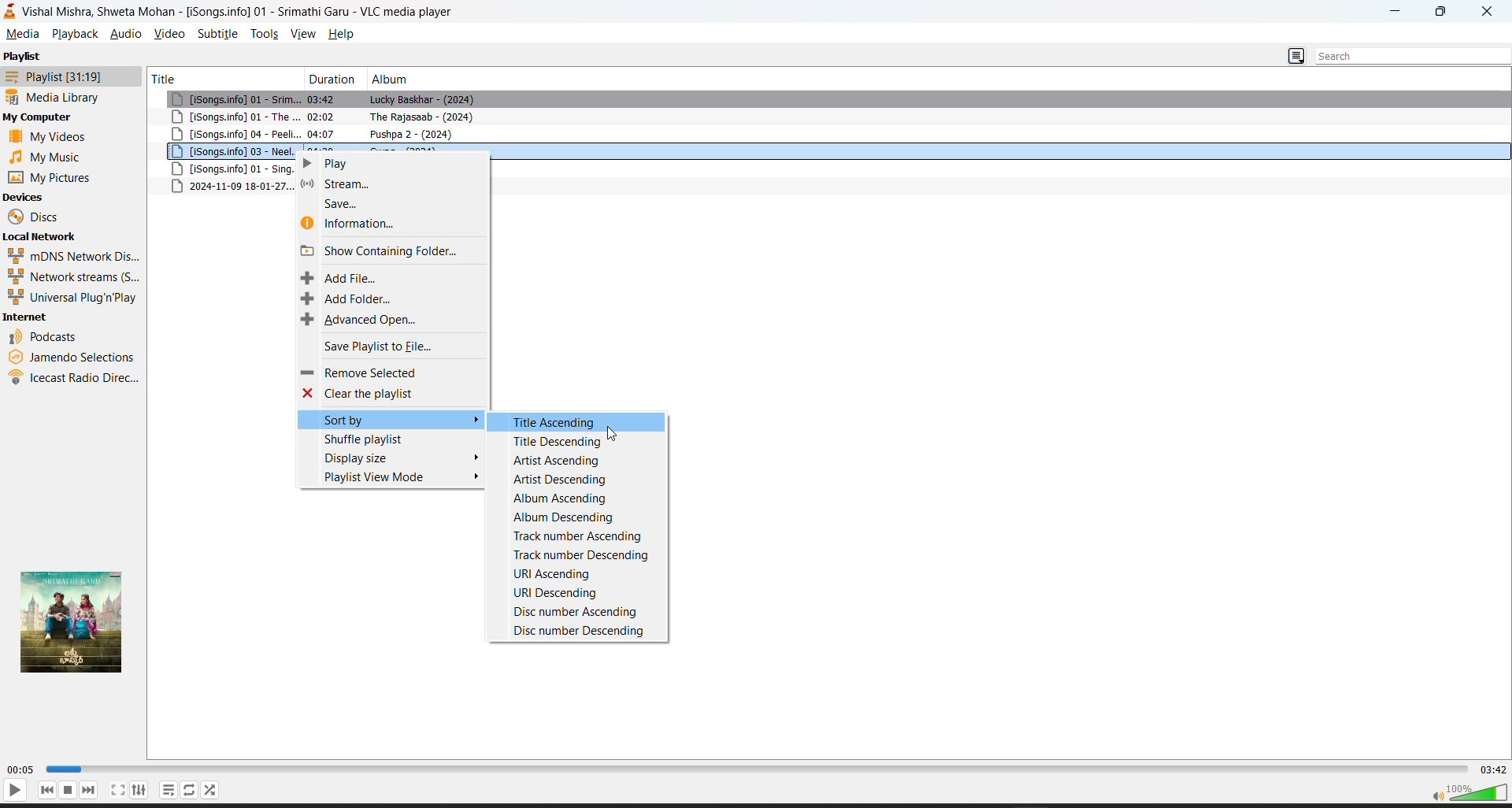  I want to click on next, so click(90, 790).